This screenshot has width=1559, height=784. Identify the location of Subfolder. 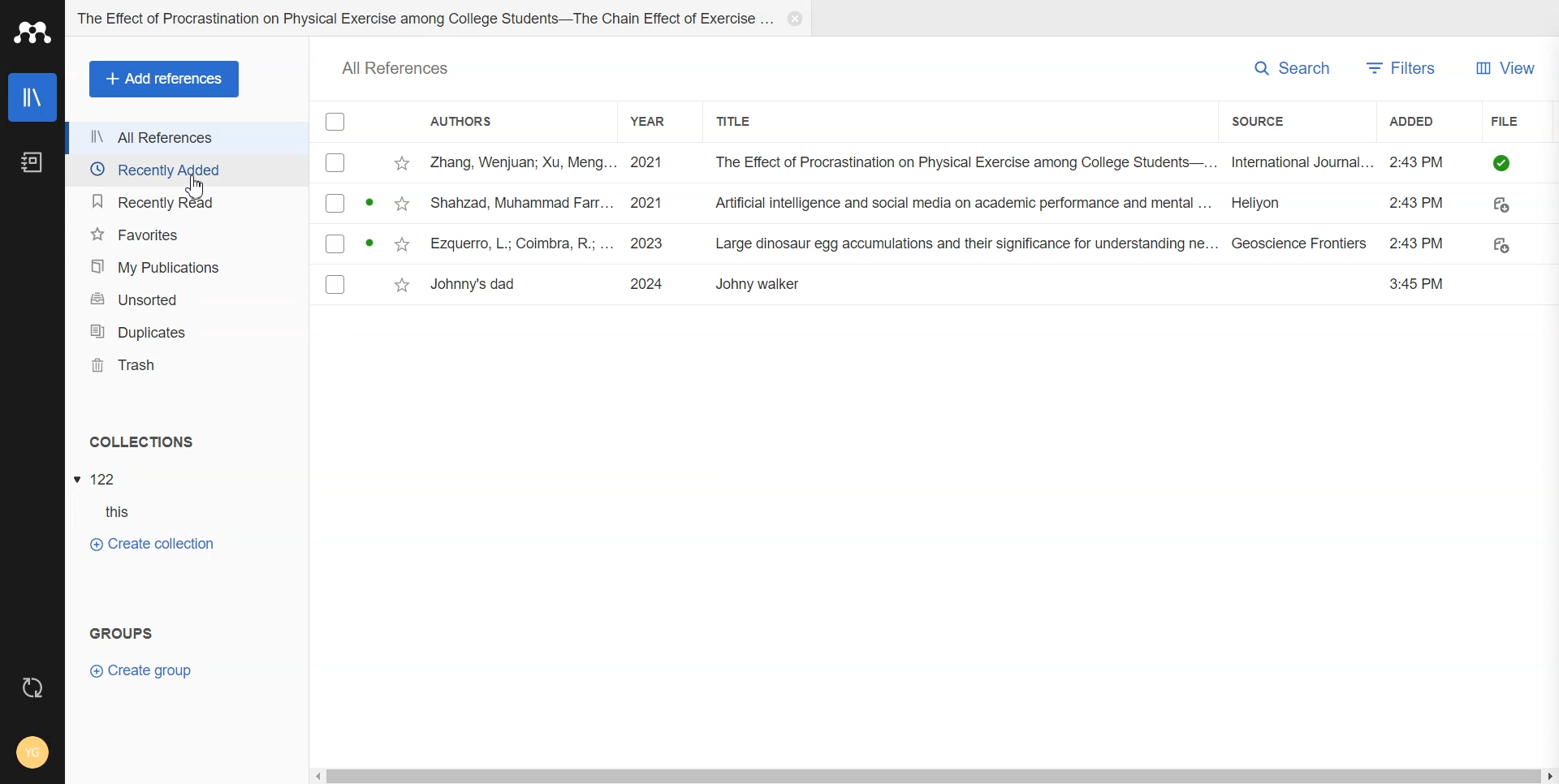
(101, 512).